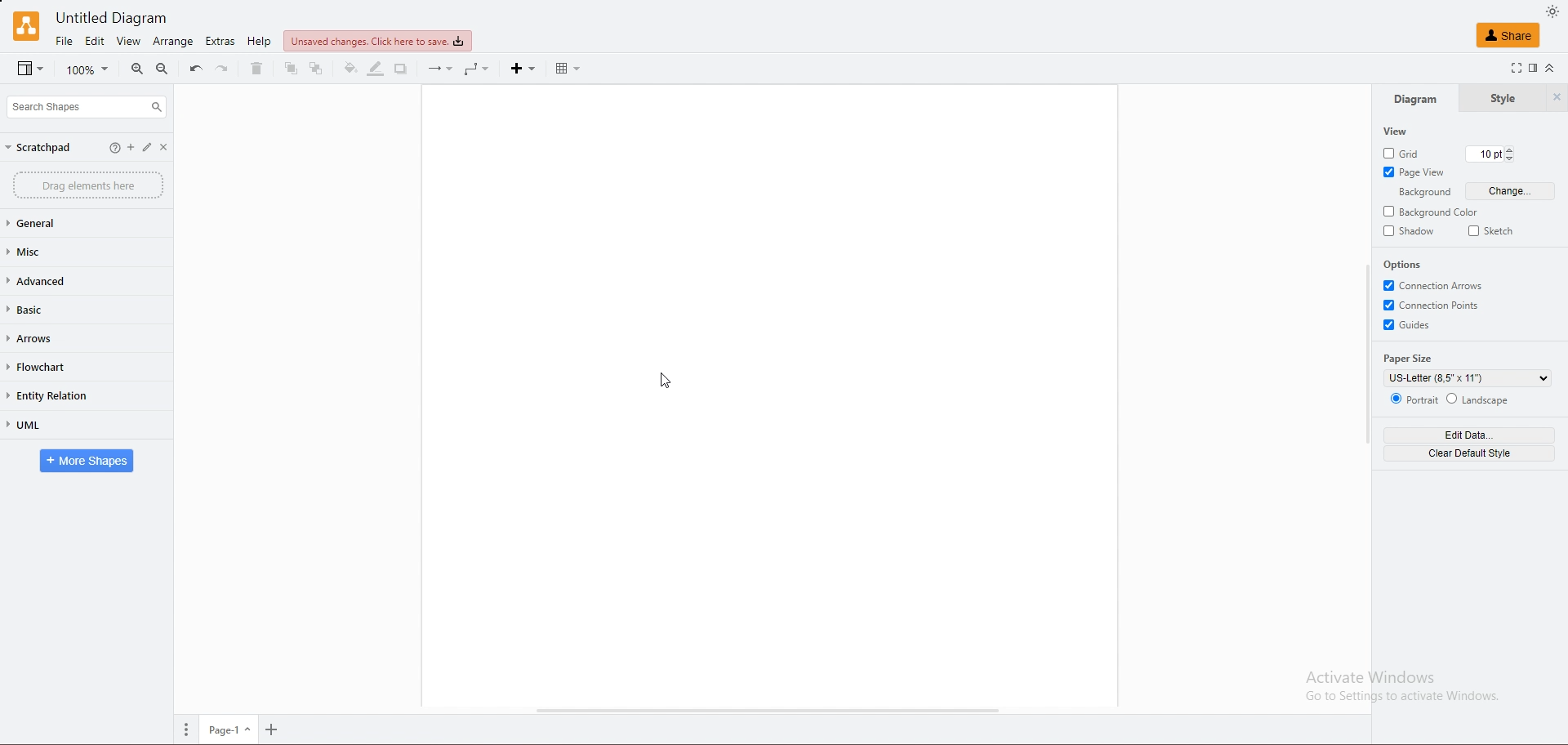 Image resolution: width=1568 pixels, height=745 pixels. I want to click on Activate Windows
Go to Settings to activate Windows., so click(1397, 688).